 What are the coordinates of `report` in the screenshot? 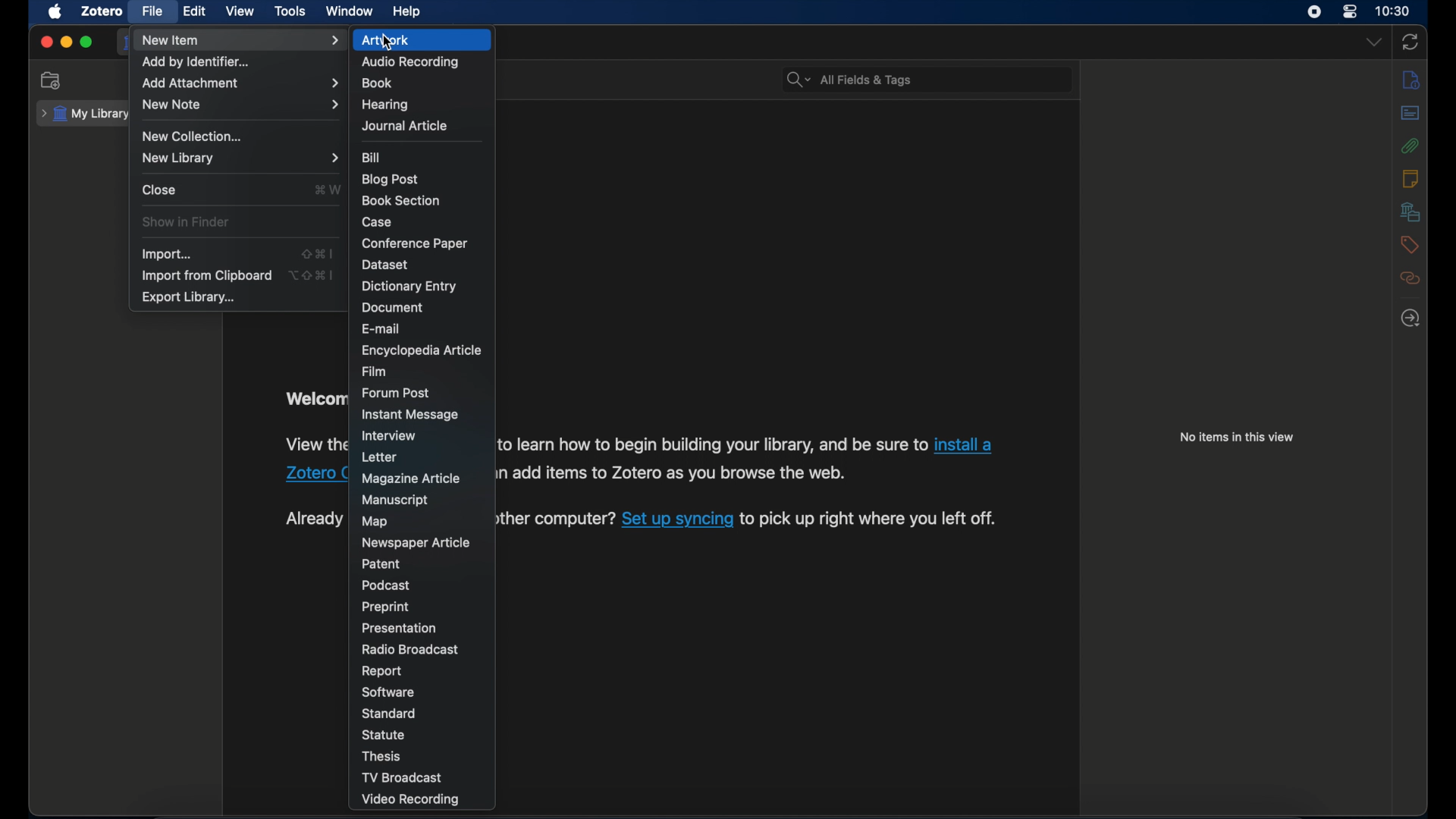 It's located at (381, 671).